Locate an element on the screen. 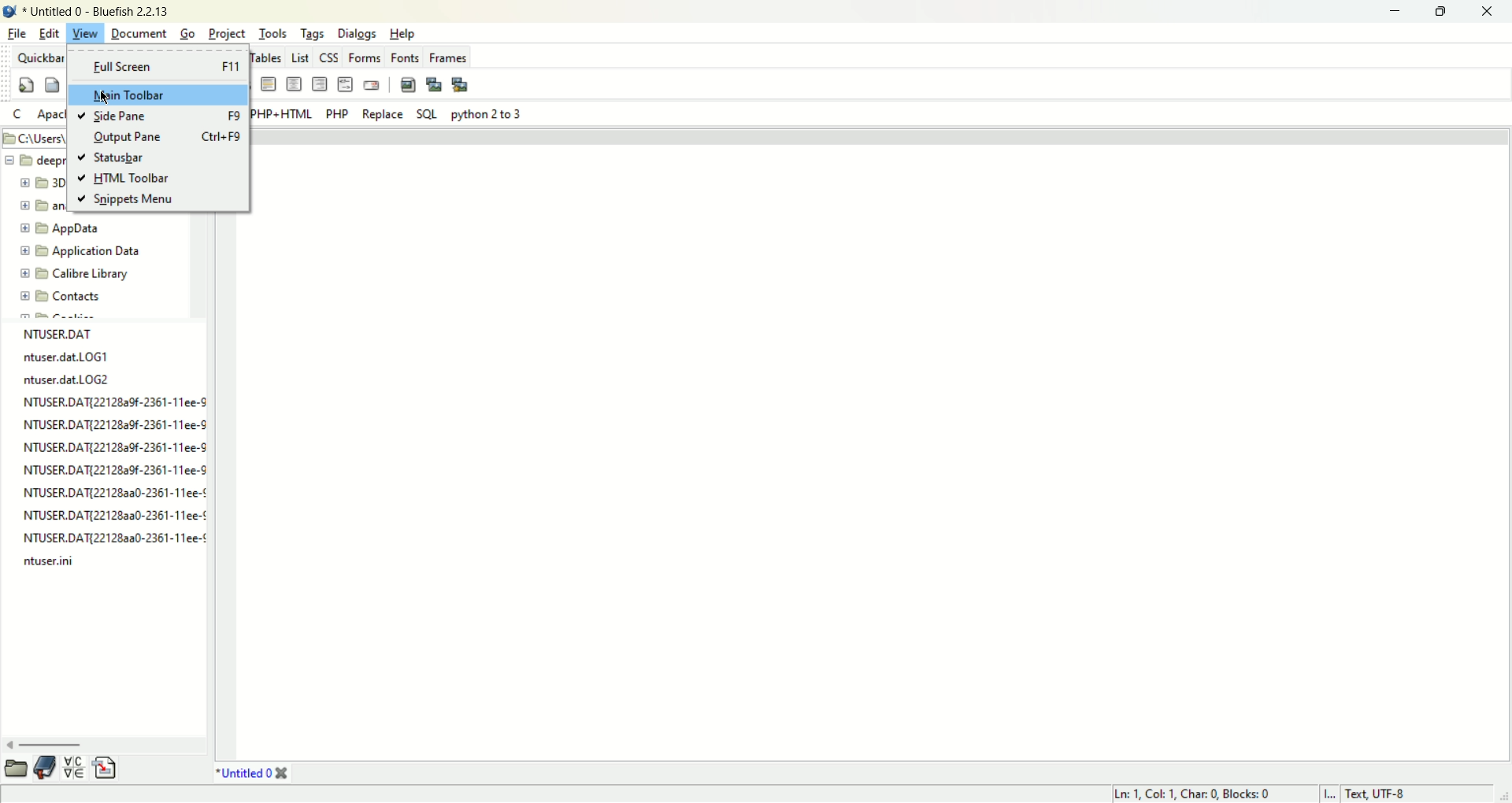 This screenshot has width=1512, height=803. email is located at coordinates (371, 84).